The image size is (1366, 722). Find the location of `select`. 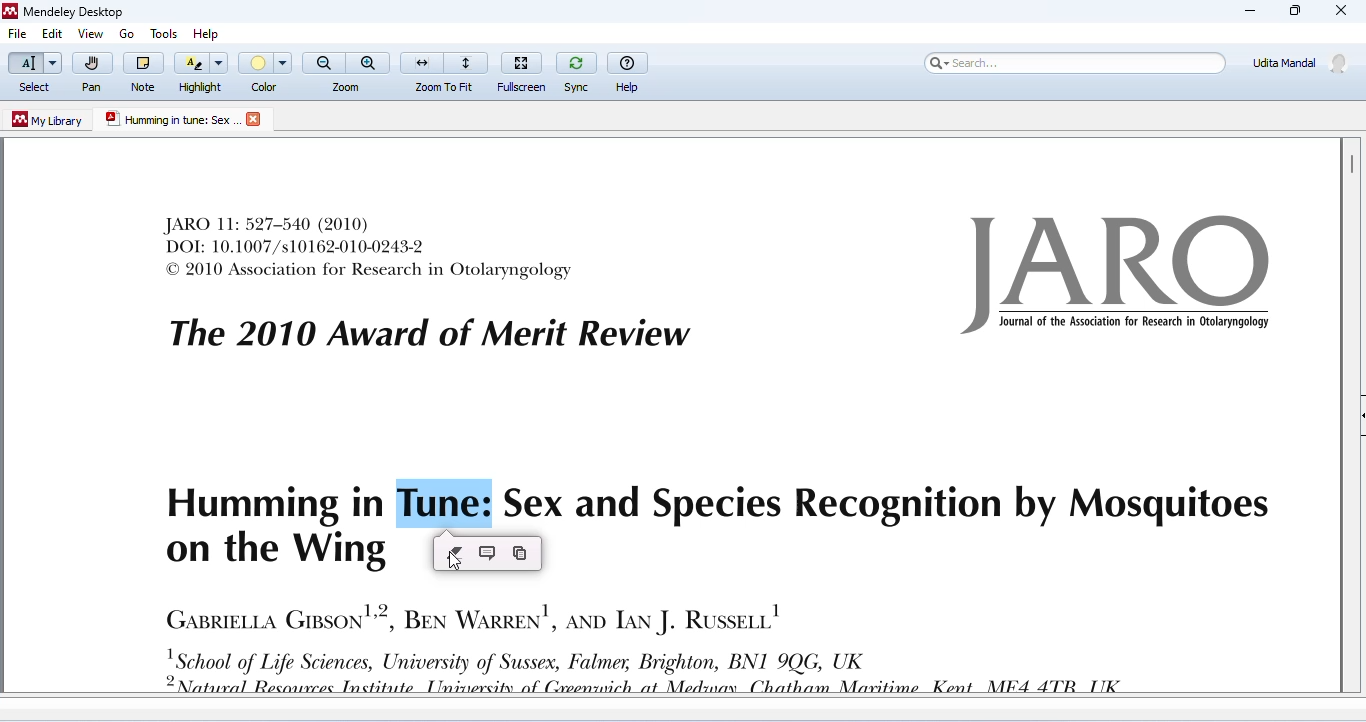

select is located at coordinates (33, 73).